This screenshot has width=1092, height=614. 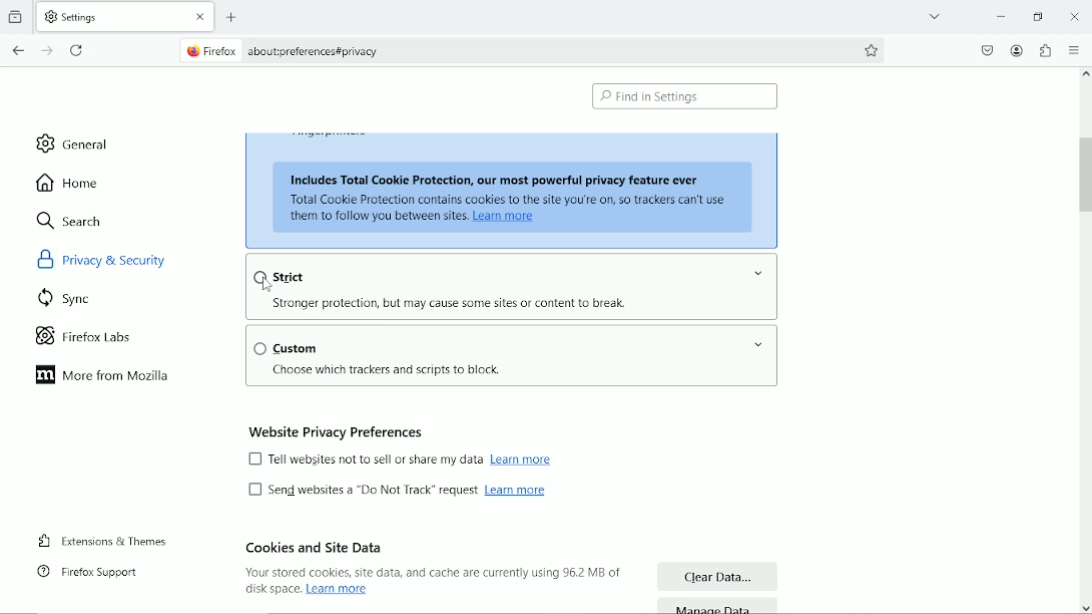 What do you see at coordinates (210, 50) in the screenshot?
I see `firefox` at bounding box center [210, 50].